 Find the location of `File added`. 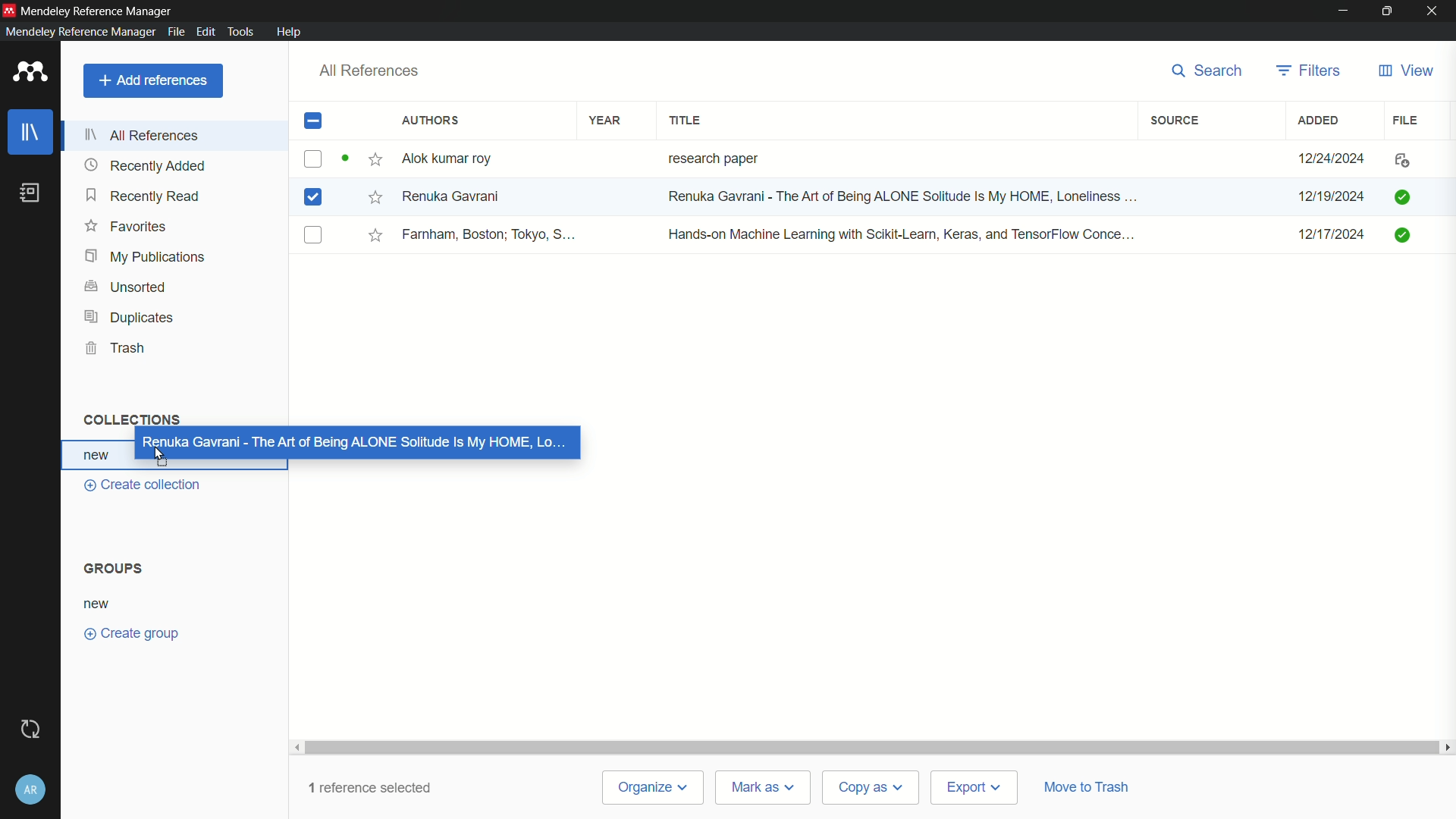

File added is located at coordinates (1405, 196).